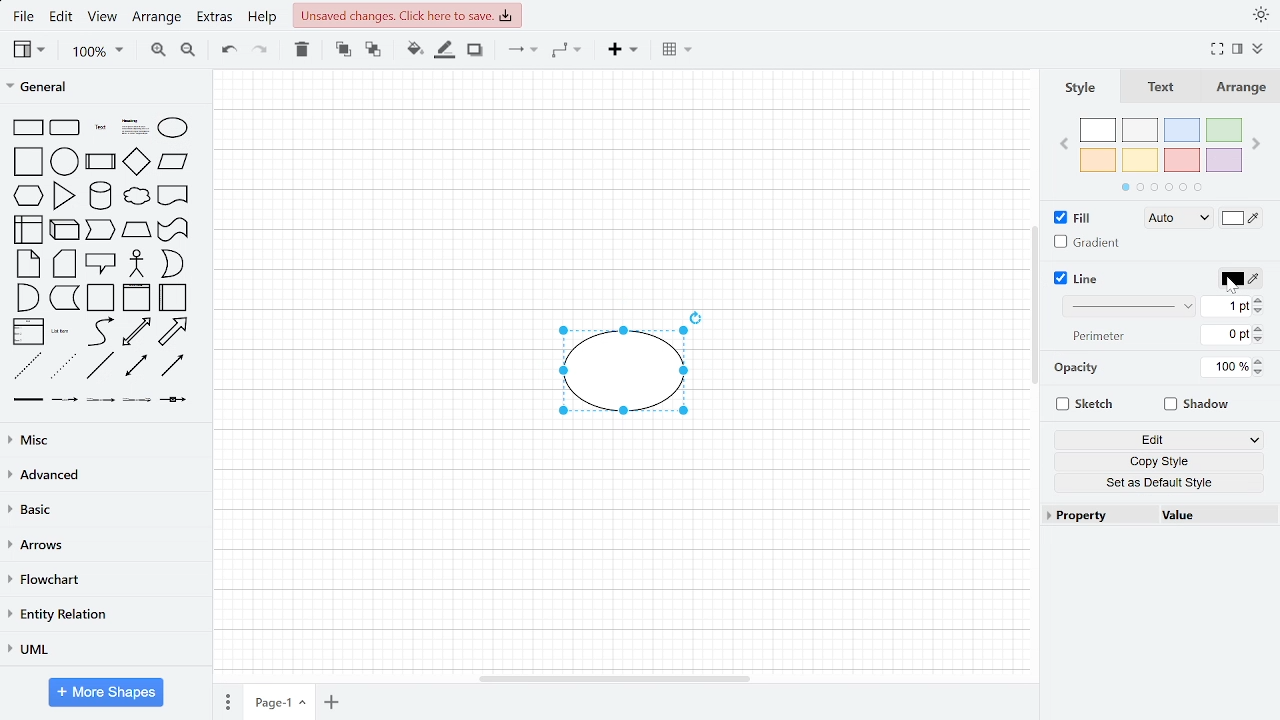 The image size is (1280, 720). I want to click on horizontal container, so click(172, 299).